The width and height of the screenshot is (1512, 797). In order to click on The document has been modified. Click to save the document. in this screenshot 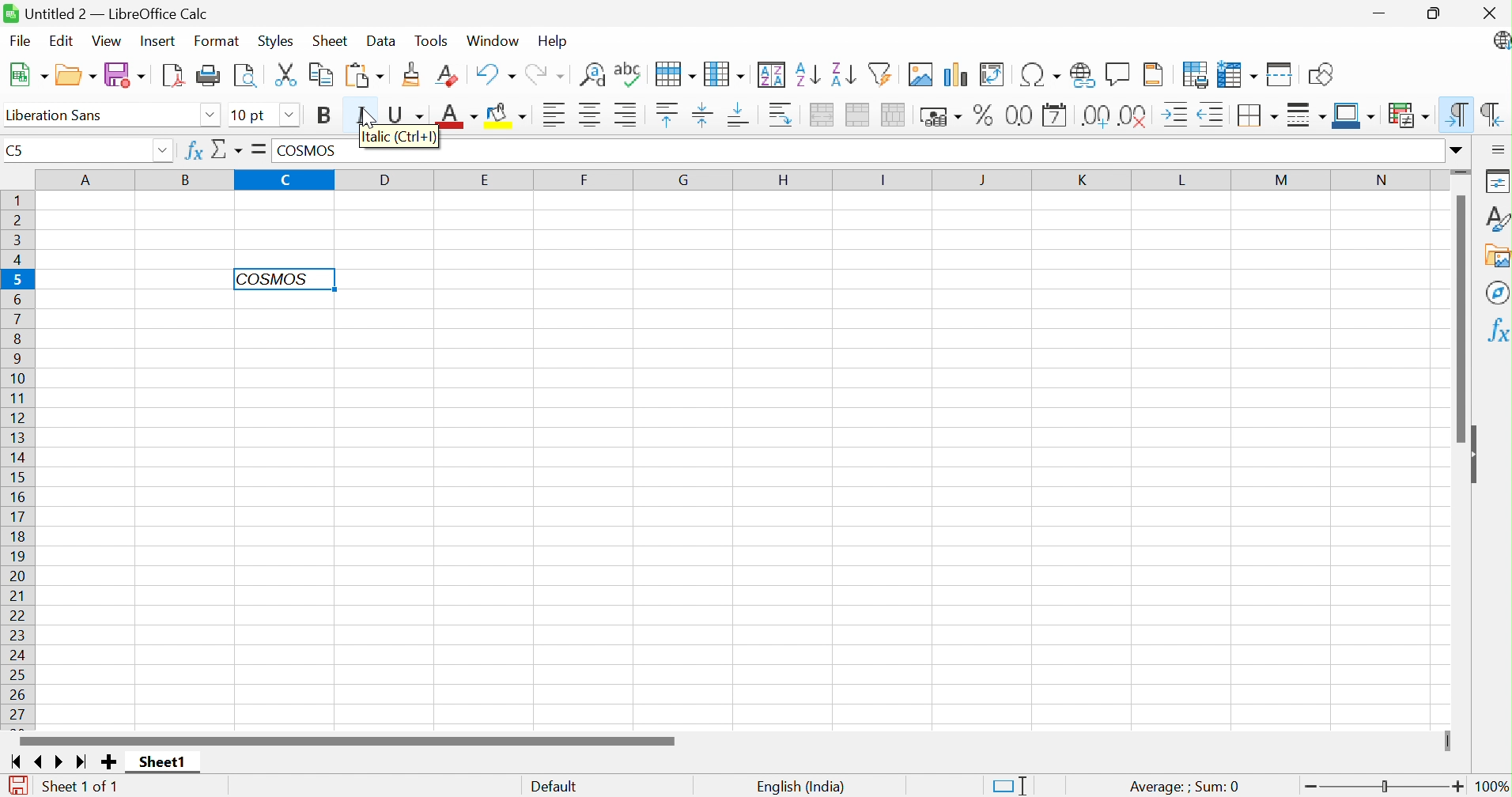, I will do `click(18, 786)`.